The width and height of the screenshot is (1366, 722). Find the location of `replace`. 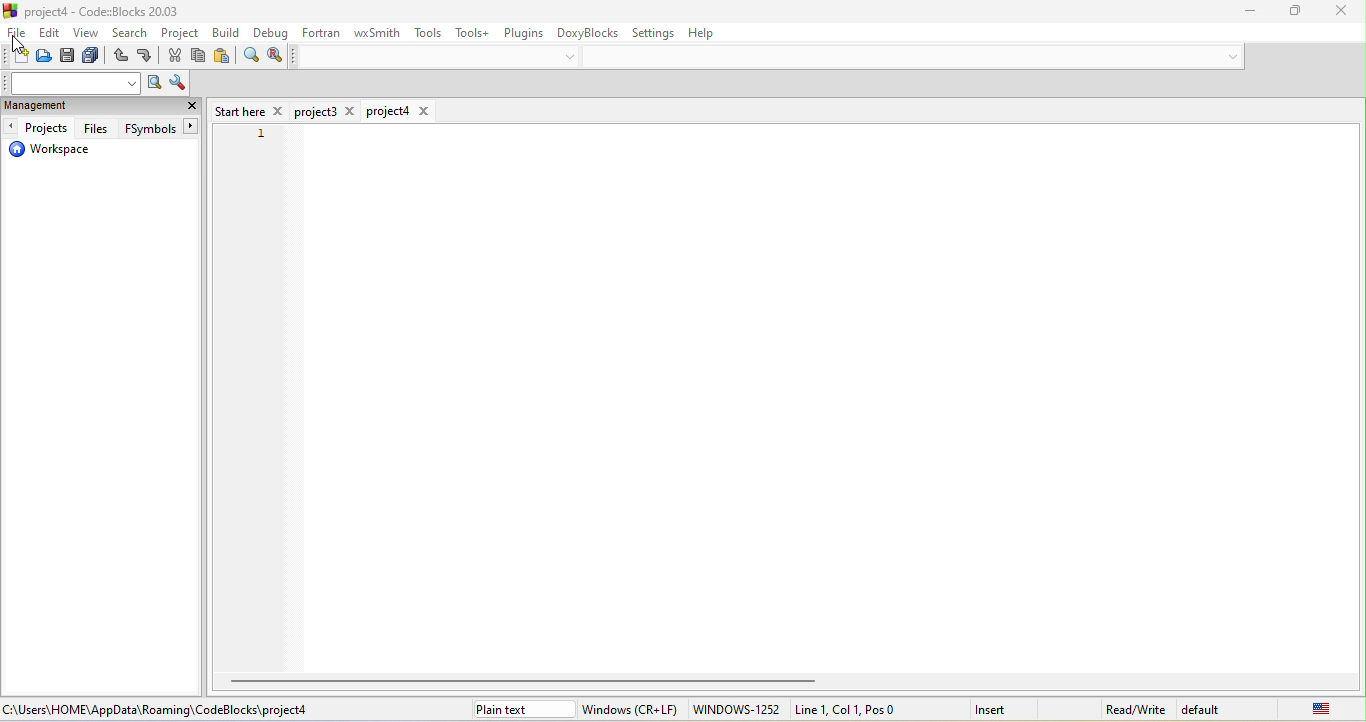

replace is located at coordinates (275, 56).